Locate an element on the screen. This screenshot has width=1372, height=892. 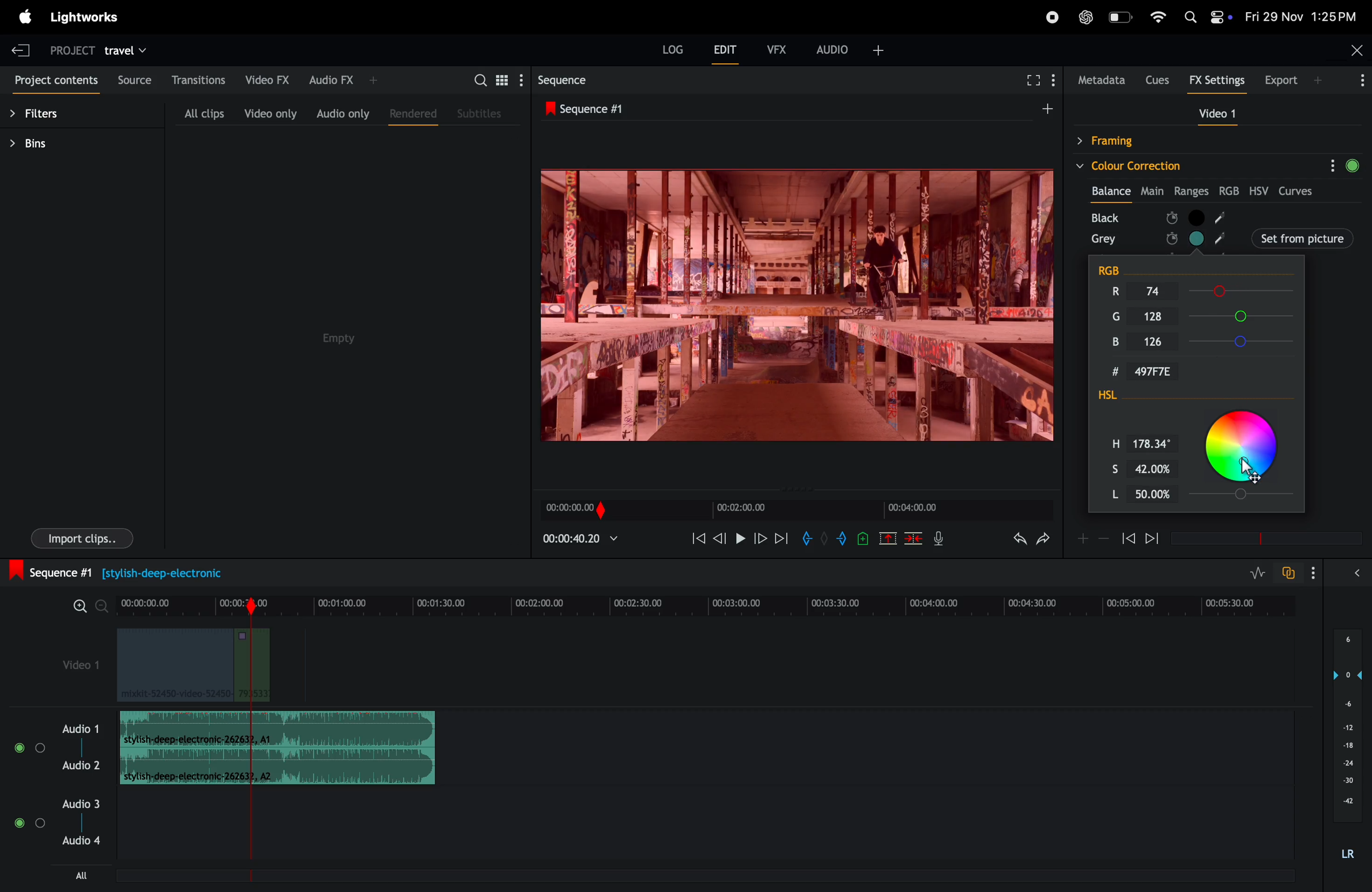
search bar is located at coordinates (479, 79).